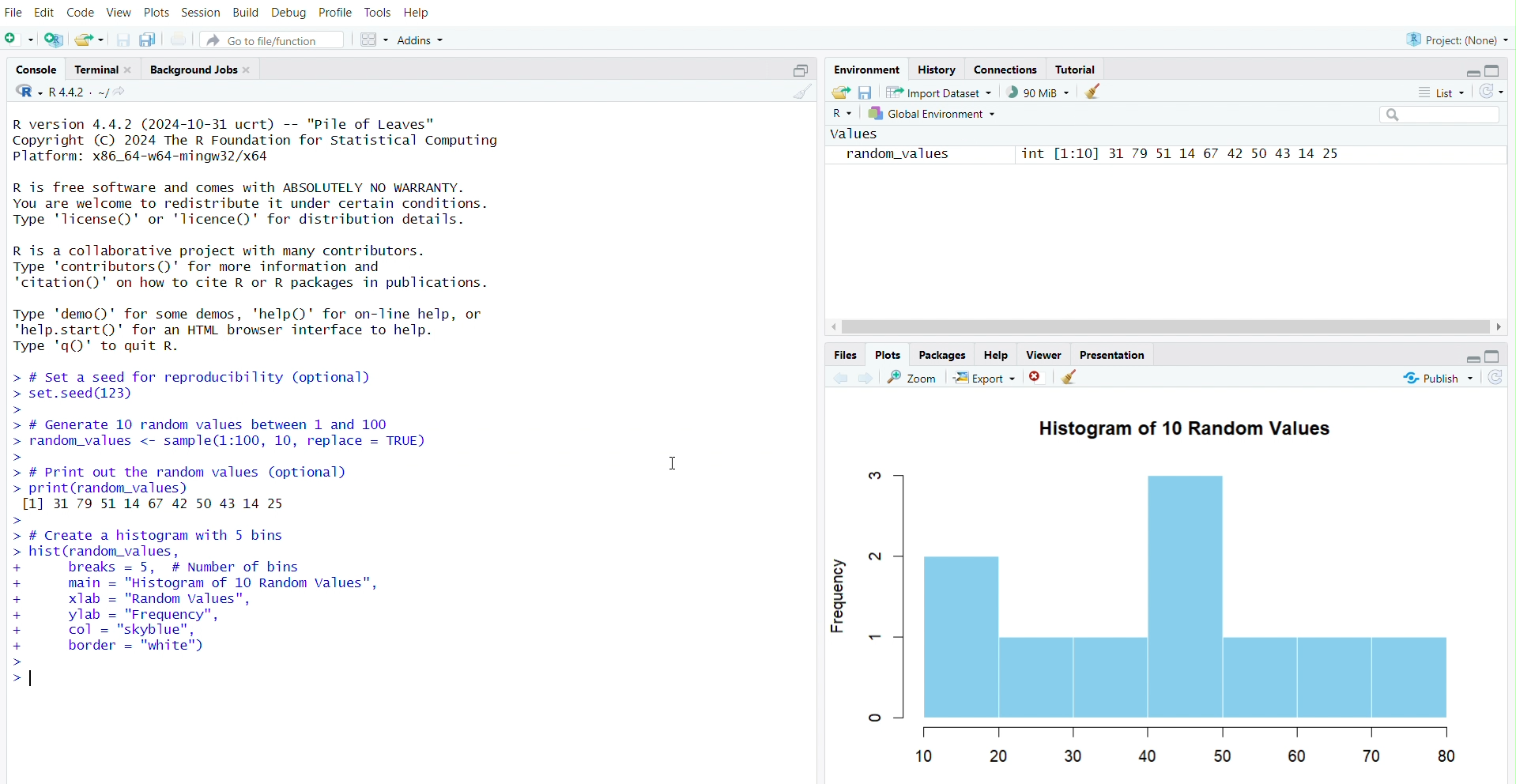 The height and width of the screenshot is (784, 1516). Describe the element at coordinates (670, 465) in the screenshot. I see `cursor` at that location.